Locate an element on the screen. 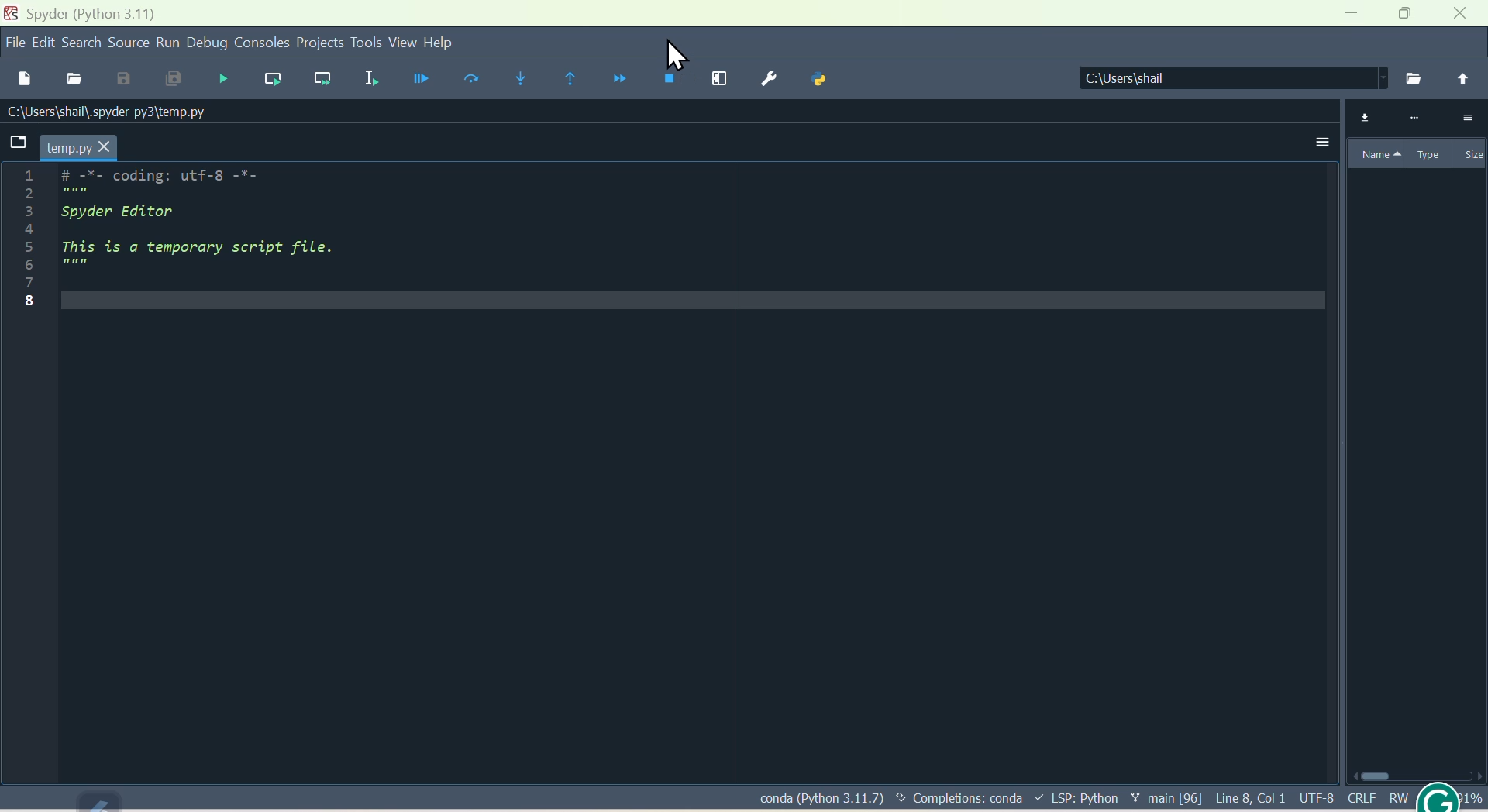 The height and width of the screenshot is (812, 1488). Stop debugging is located at coordinates (664, 79).